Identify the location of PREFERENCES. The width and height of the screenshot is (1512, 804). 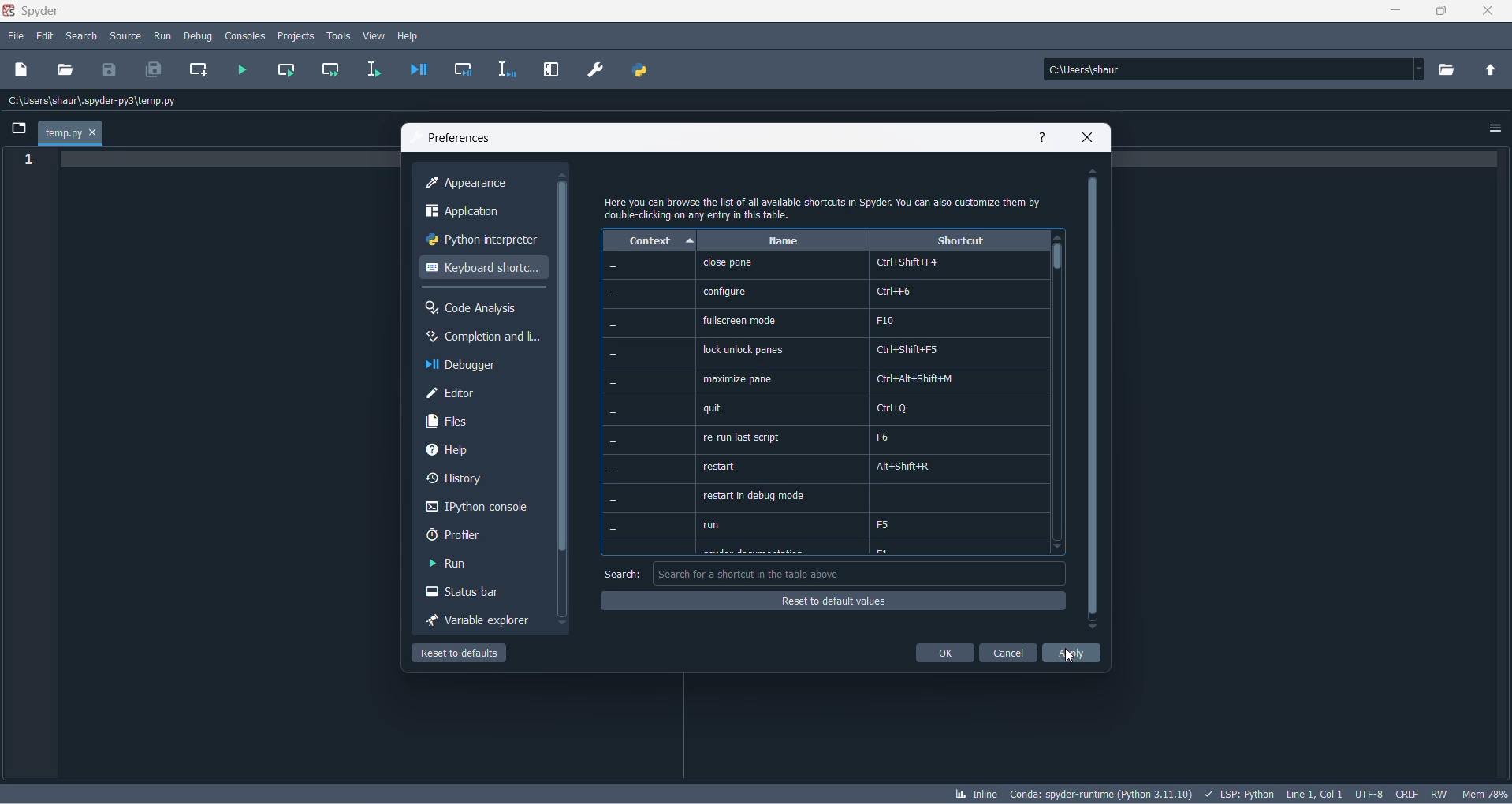
(597, 70).